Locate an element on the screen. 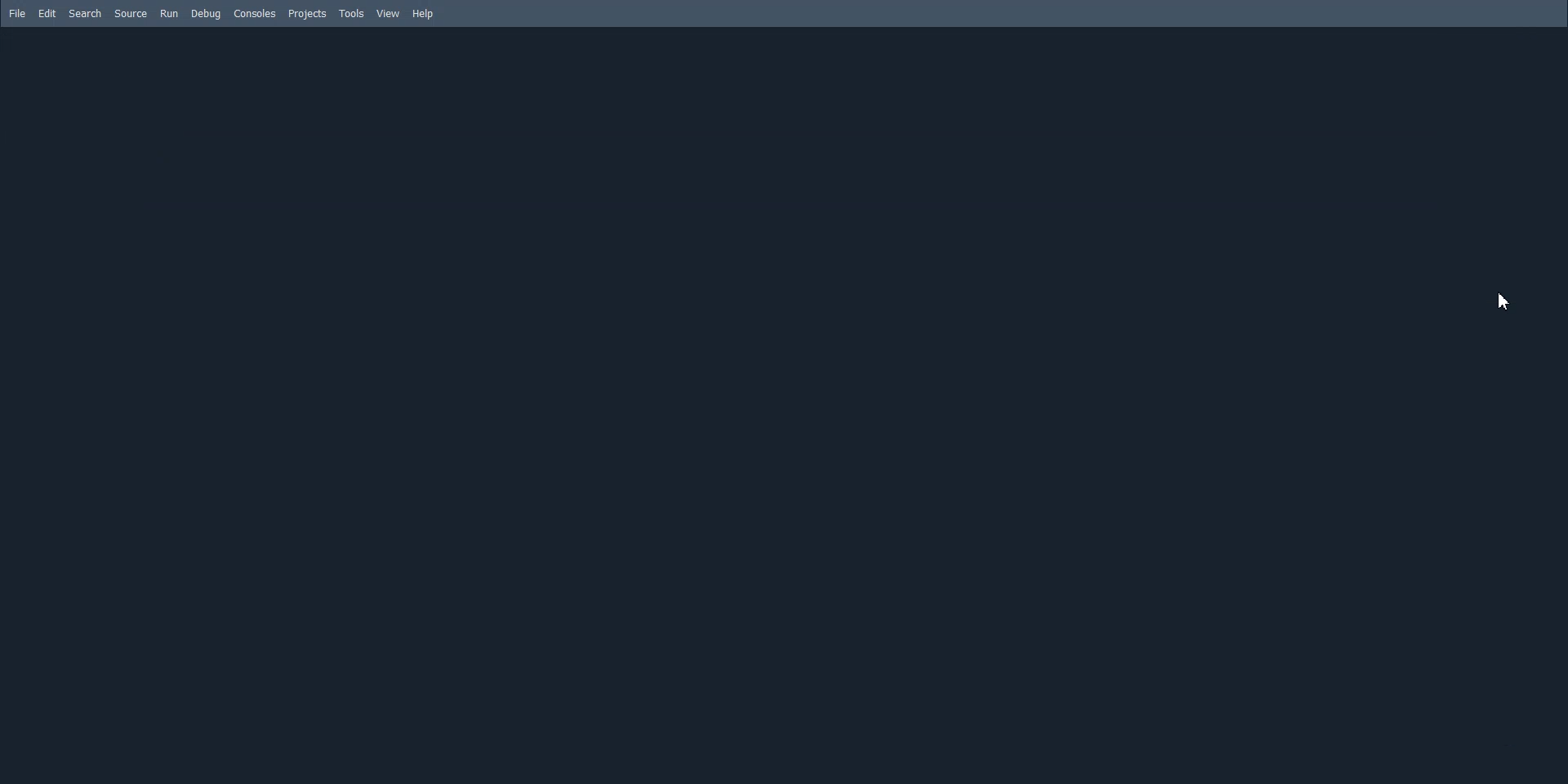 The image size is (1568, 784). Cursor is located at coordinates (1507, 300).